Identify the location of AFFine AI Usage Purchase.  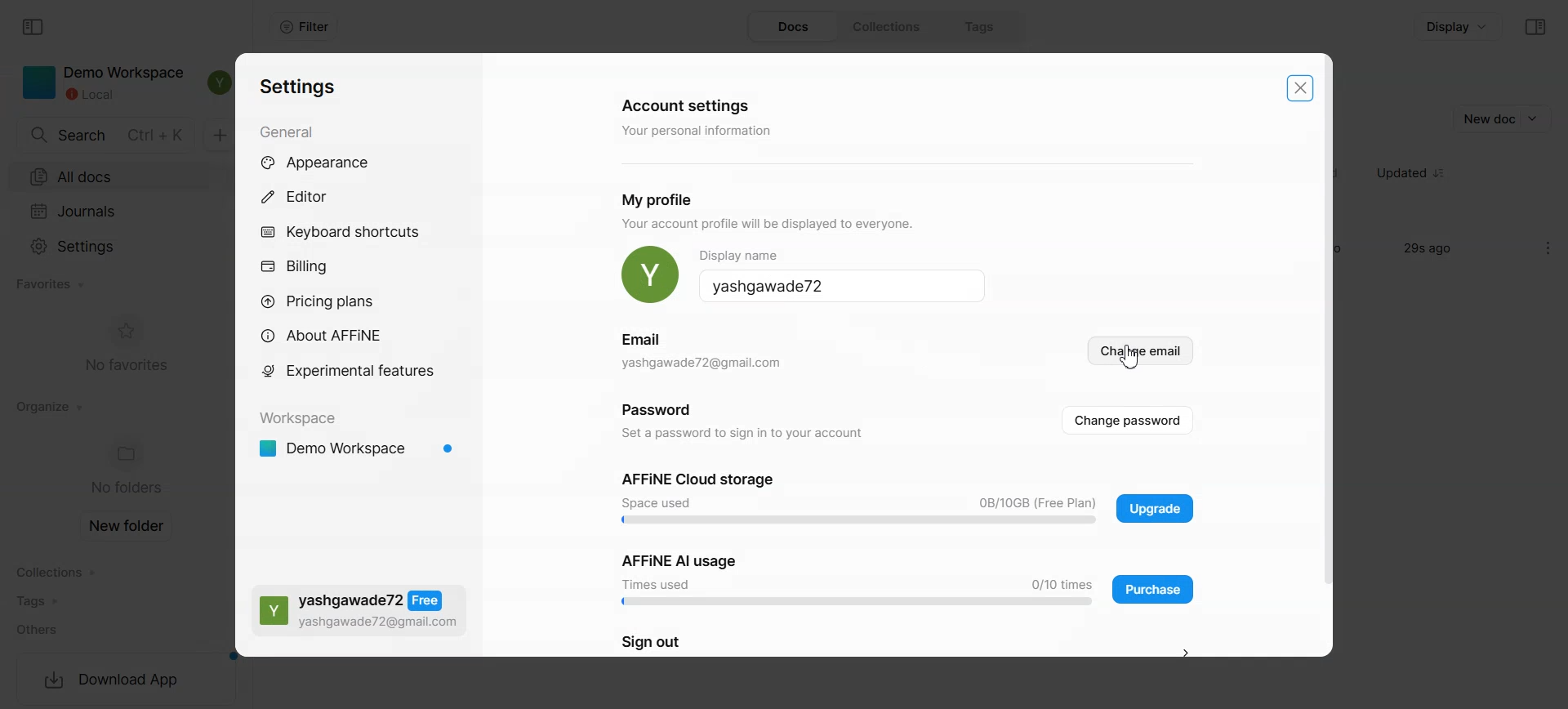
(1155, 588).